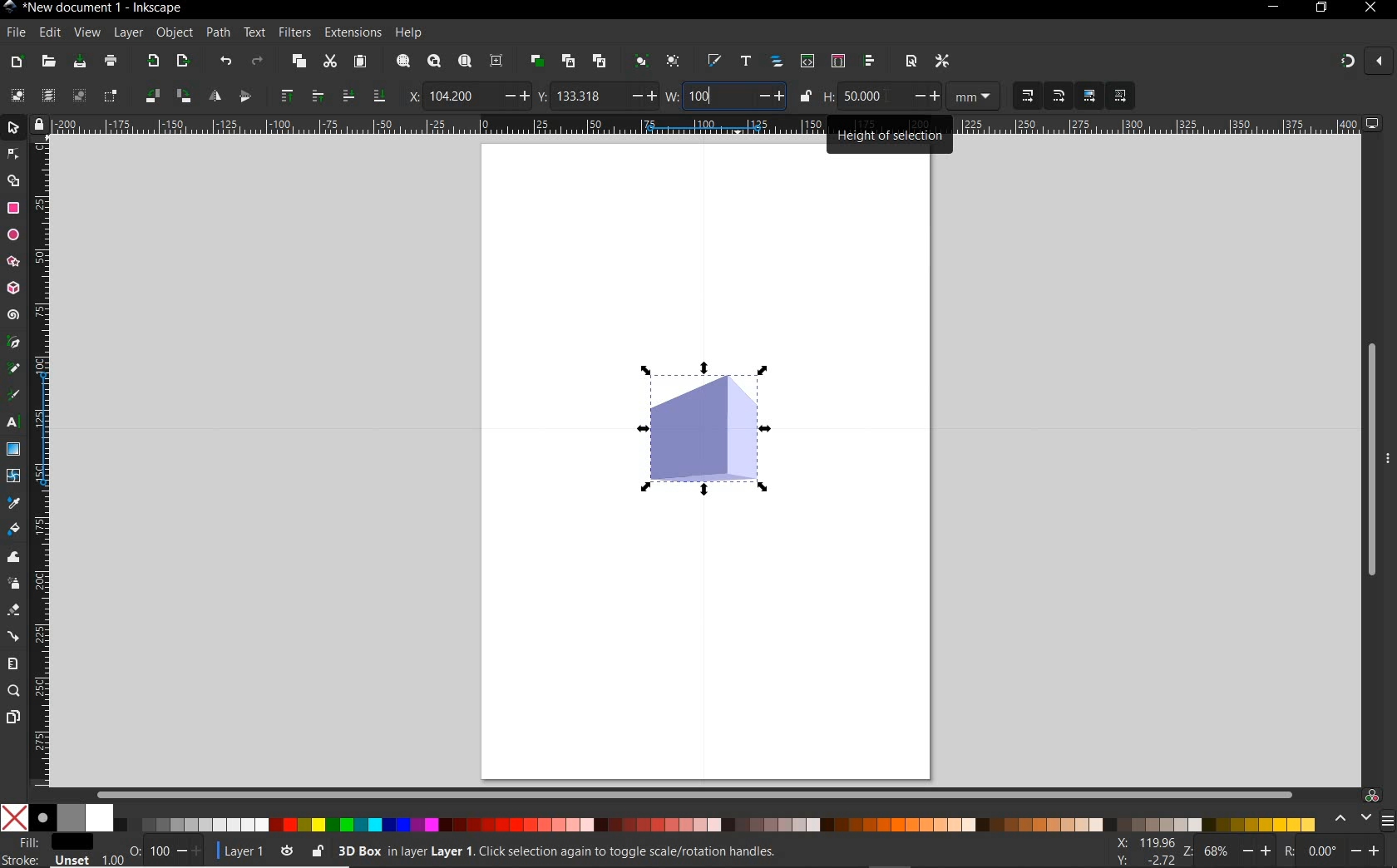 This screenshot has width=1397, height=868. What do you see at coordinates (871, 96) in the screenshot?
I see `50` at bounding box center [871, 96].